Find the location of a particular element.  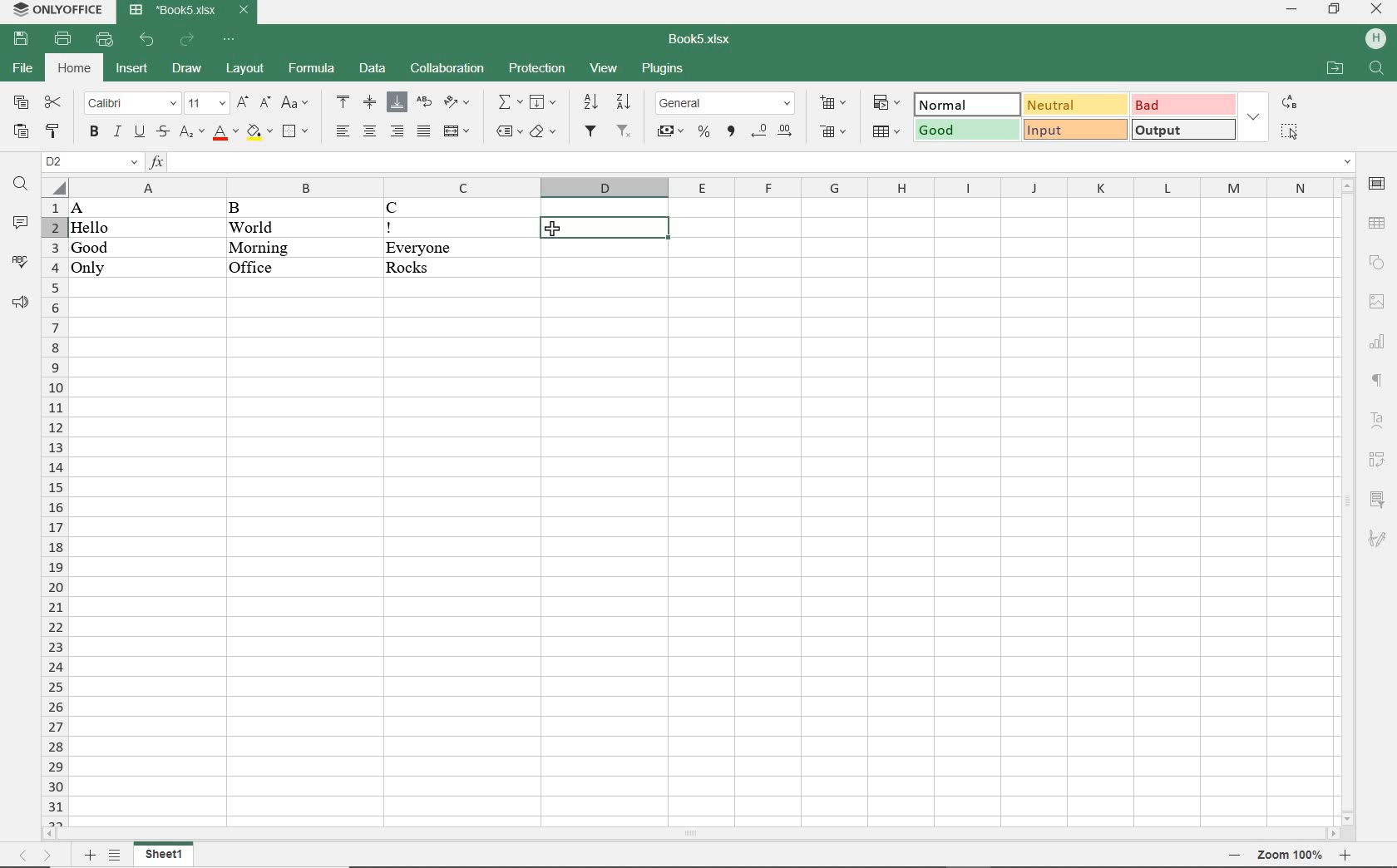

Office is located at coordinates (259, 267).